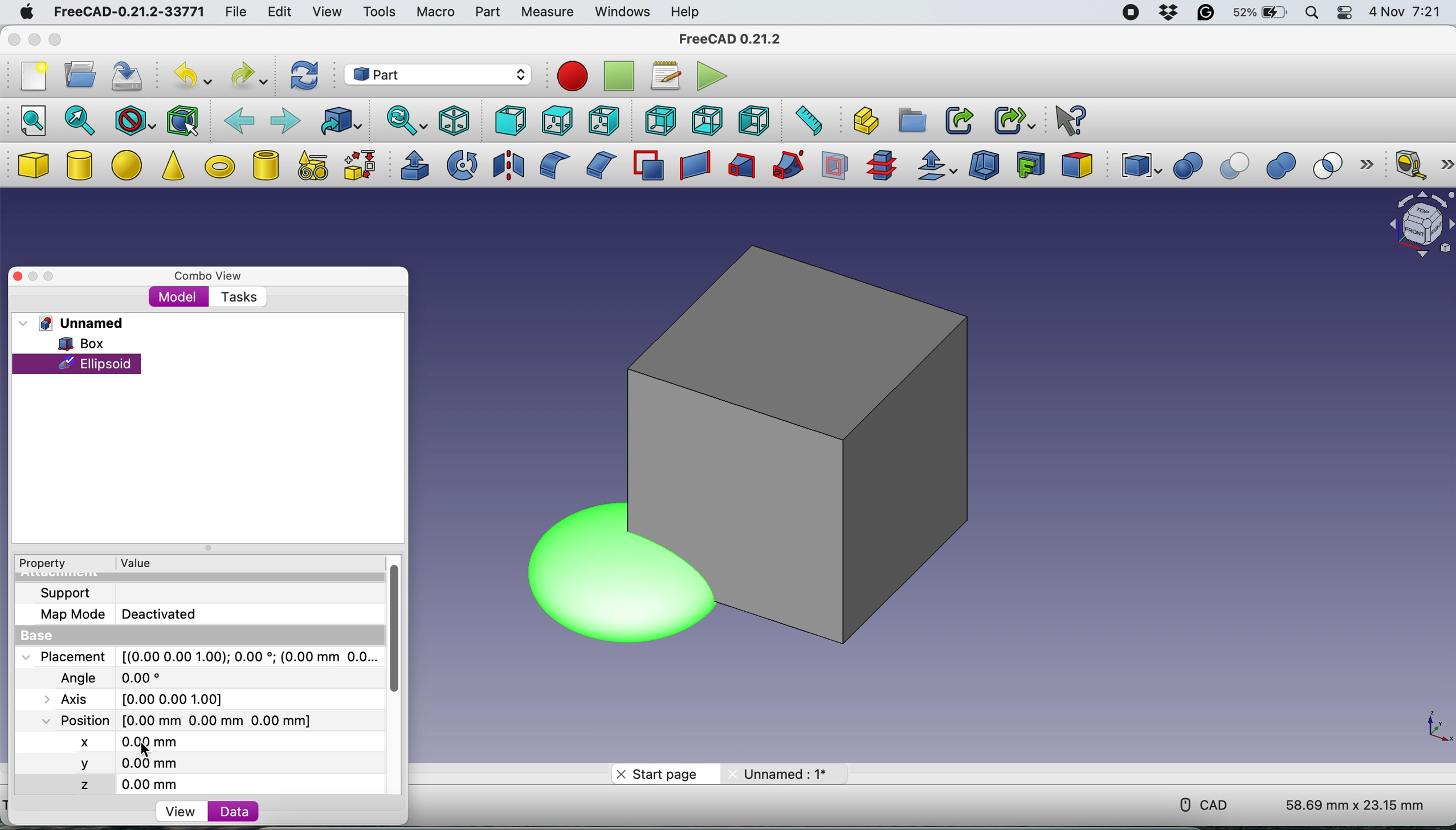 This screenshot has height=830, width=1456. I want to click on box, so click(818, 438).